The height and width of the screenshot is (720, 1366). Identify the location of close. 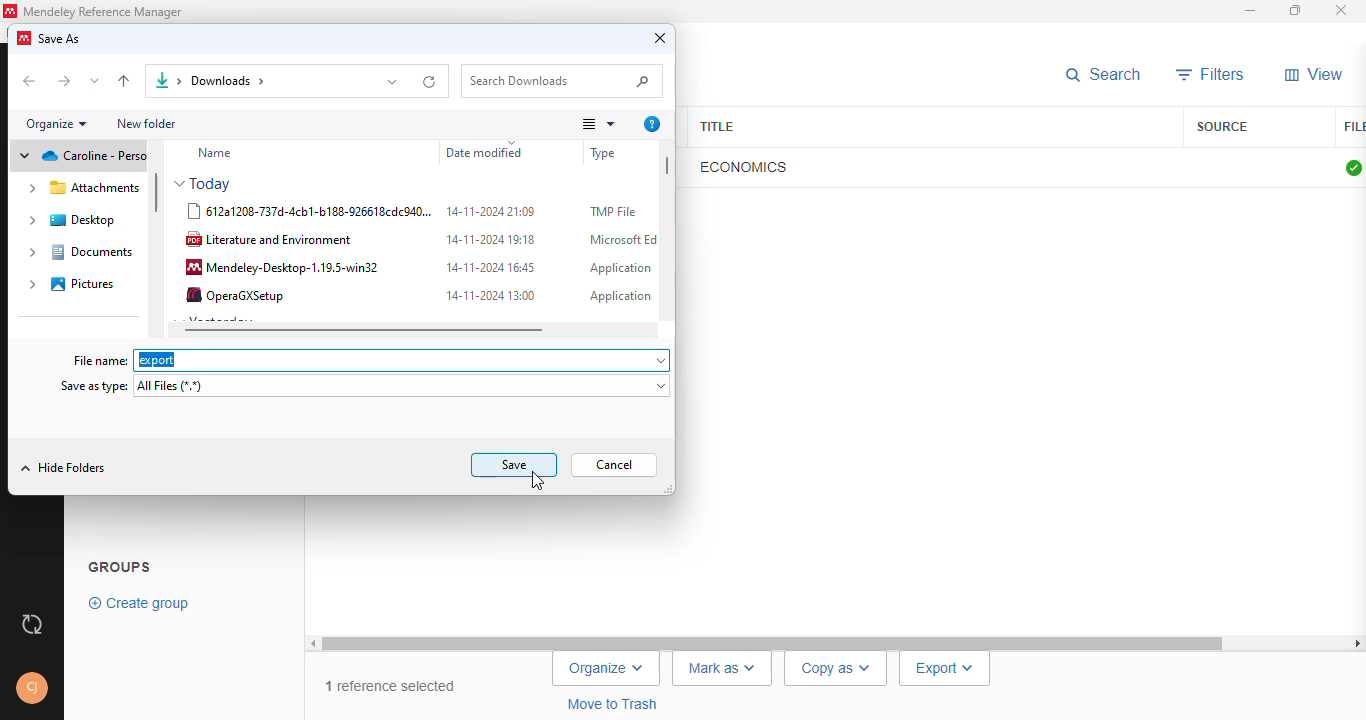
(660, 37).